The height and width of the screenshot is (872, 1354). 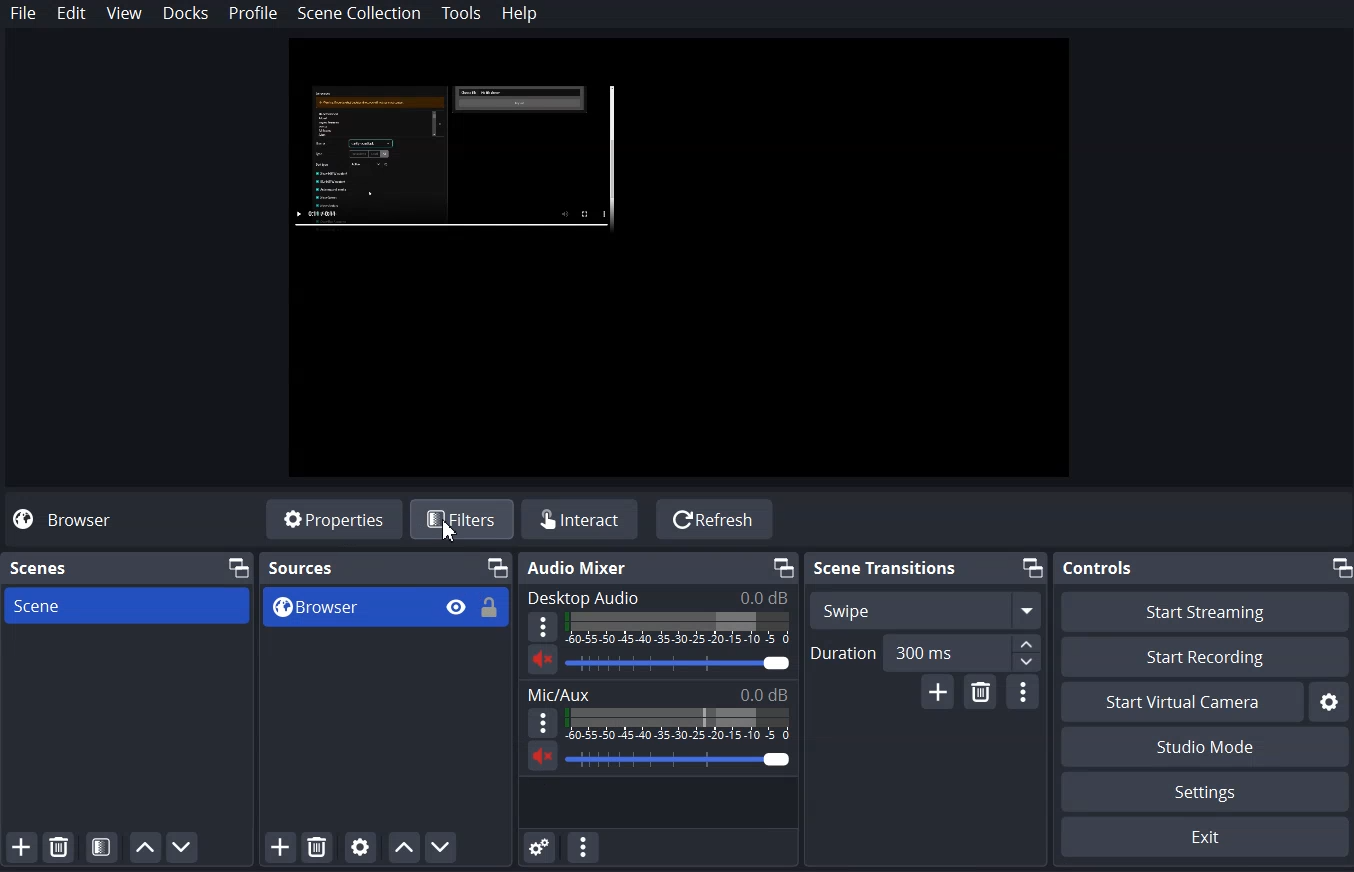 I want to click on View, so click(x=124, y=13).